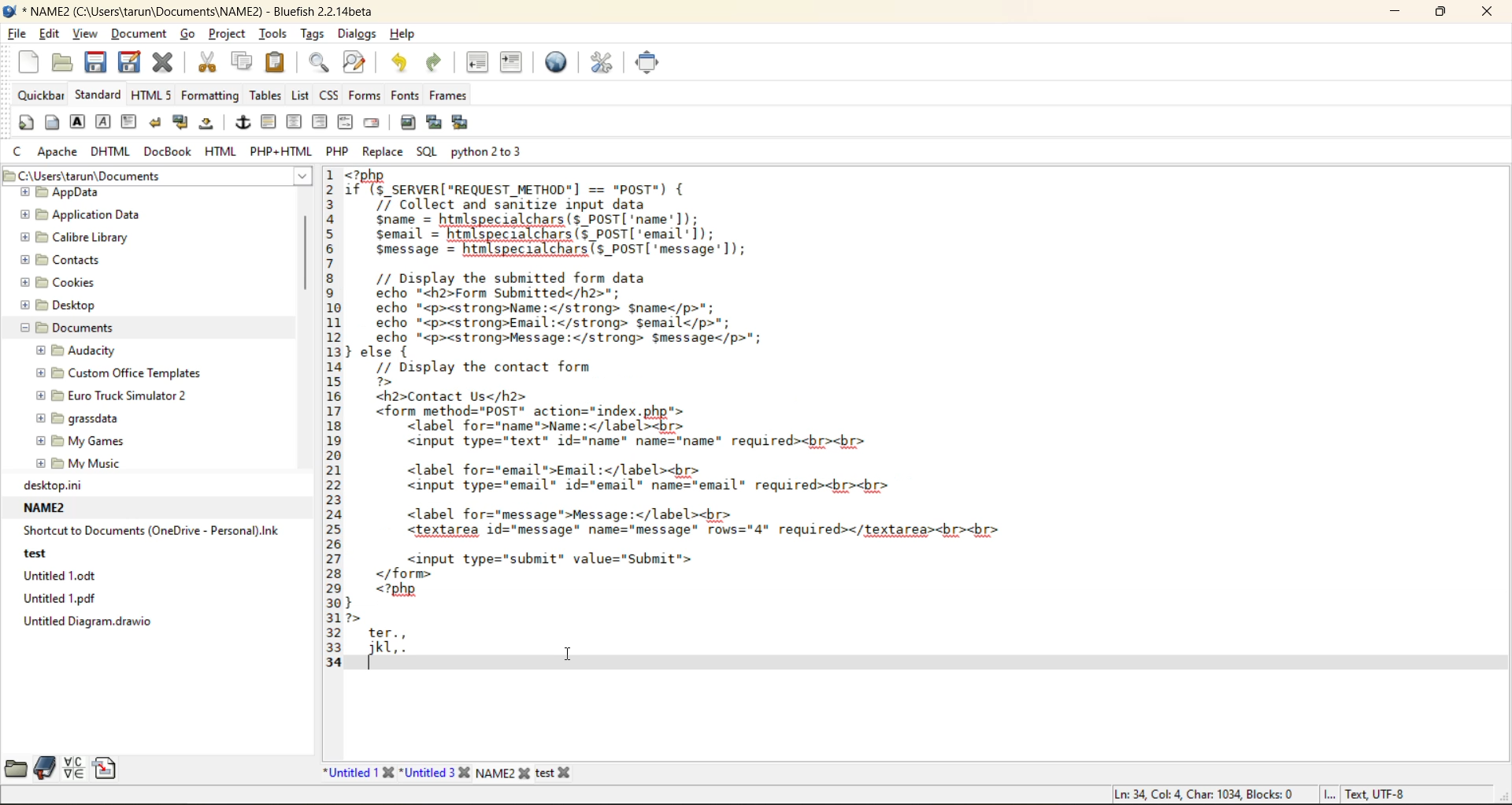 The width and height of the screenshot is (1512, 805). I want to click on forms, so click(366, 95).